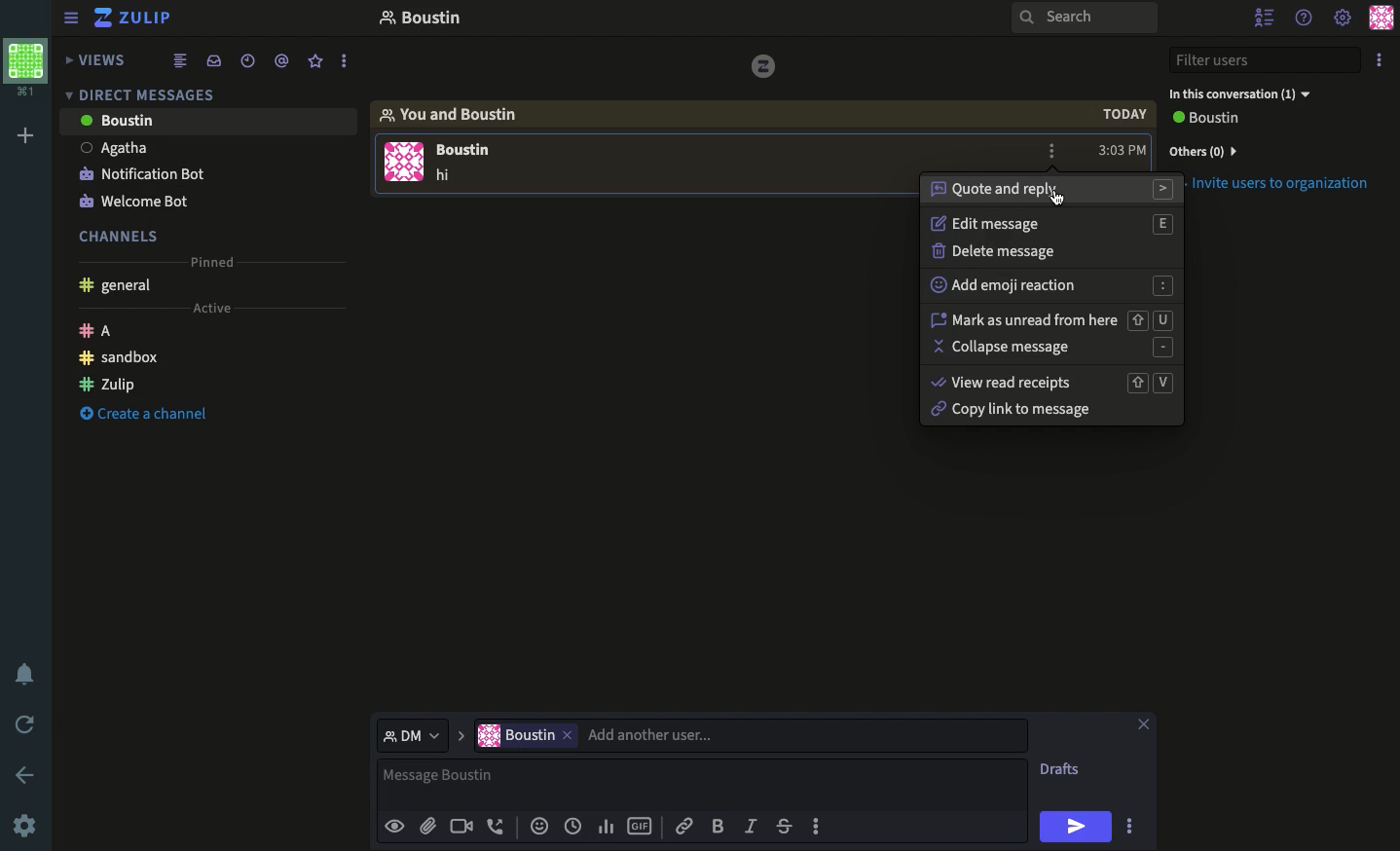  What do you see at coordinates (1124, 147) in the screenshot?
I see `Time` at bounding box center [1124, 147].